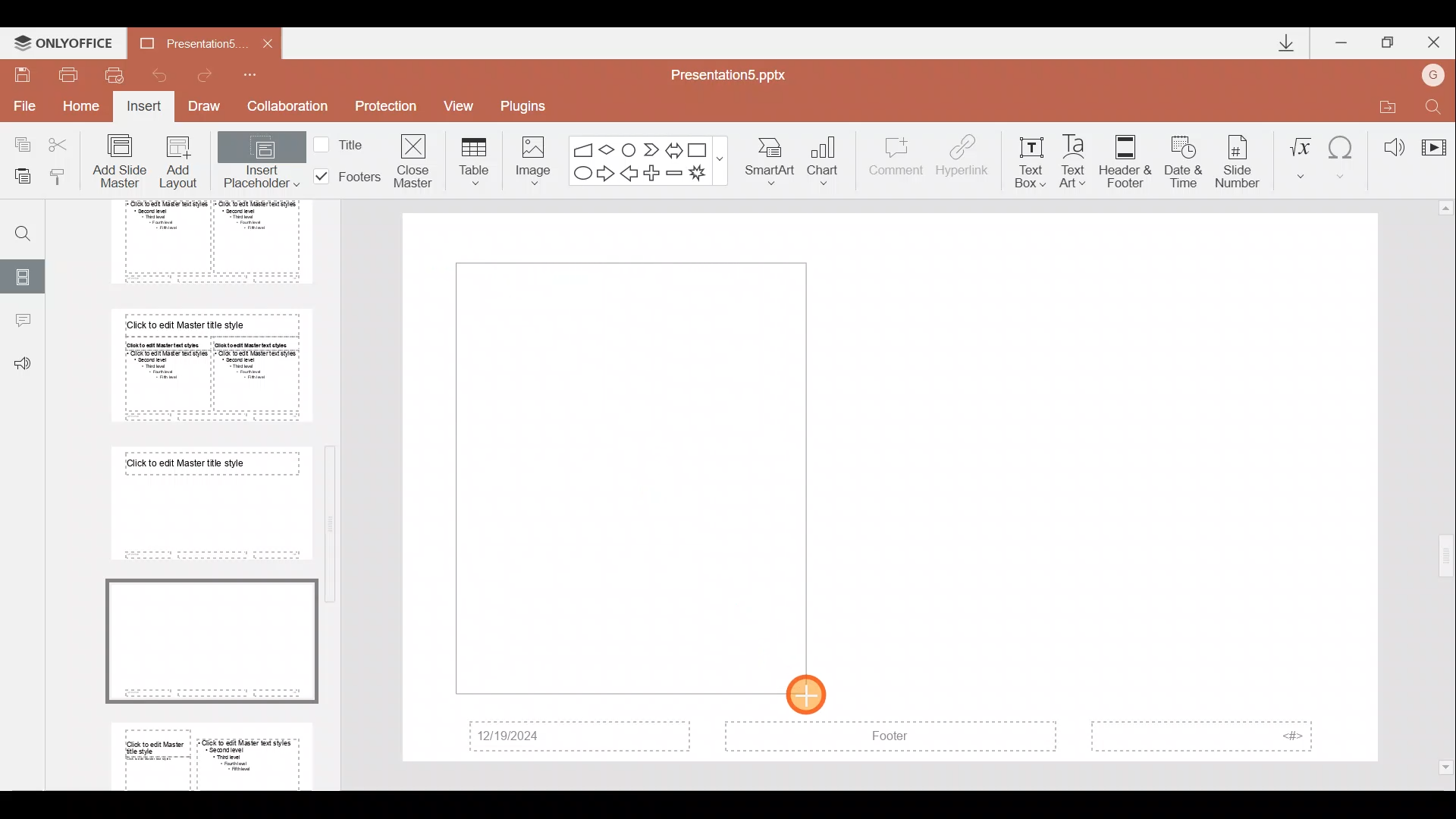  What do you see at coordinates (654, 171) in the screenshot?
I see `Plus` at bounding box center [654, 171].